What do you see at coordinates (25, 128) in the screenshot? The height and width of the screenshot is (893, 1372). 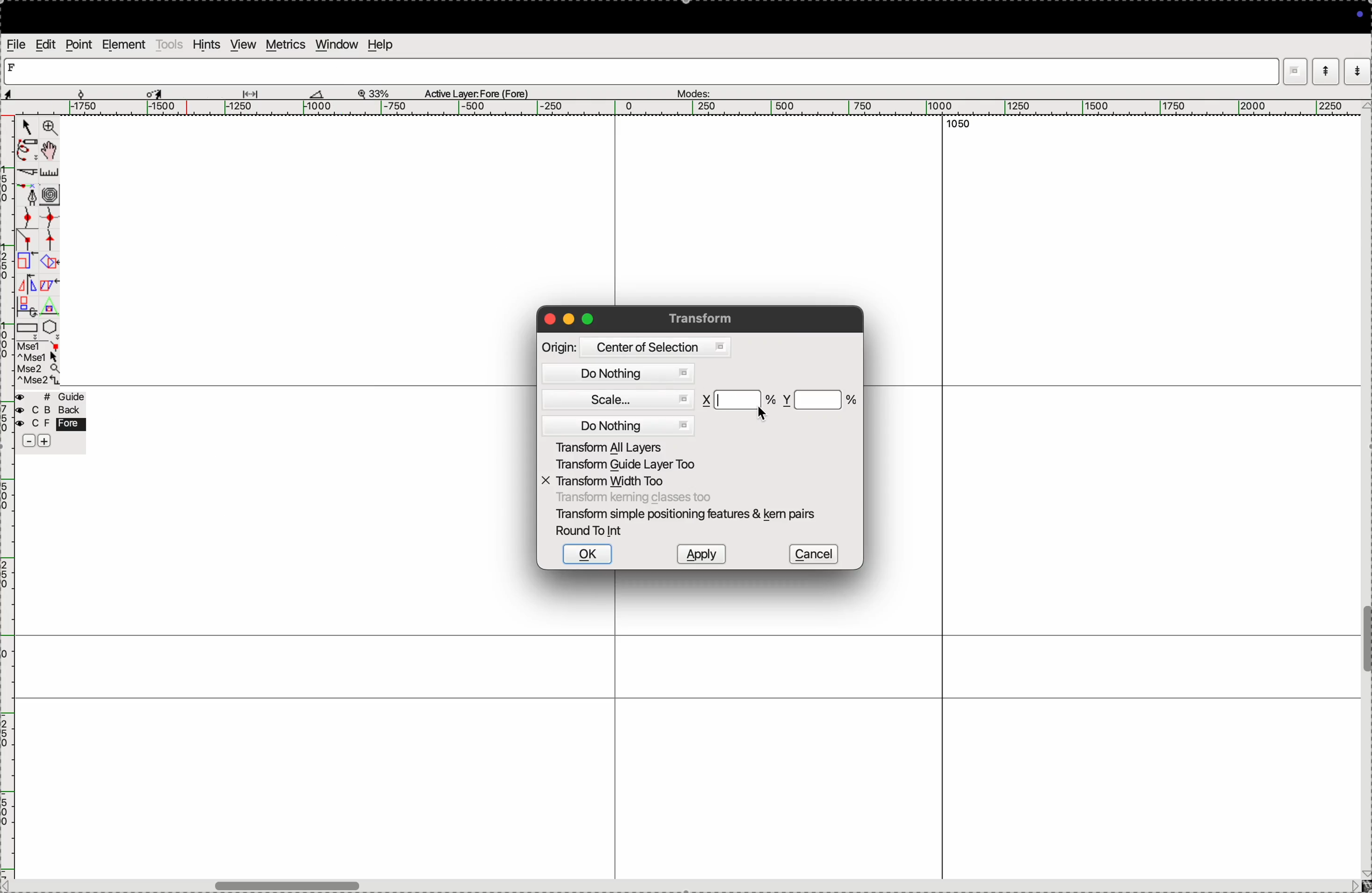 I see `cursor` at bounding box center [25, 128].